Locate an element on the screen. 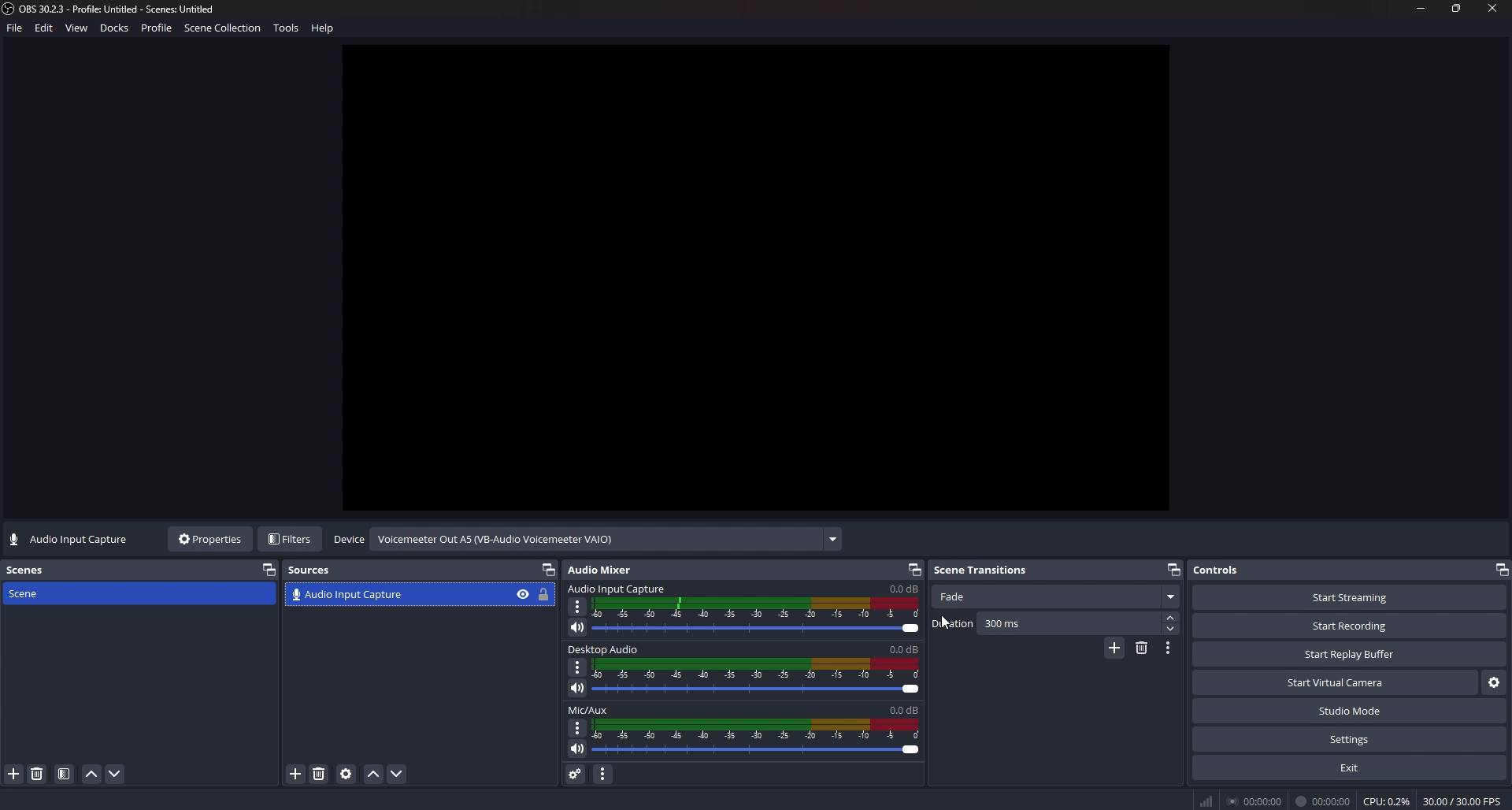 The width and height of the screenshot is (1512, 810). no source selected is located at coordinates (70, 540).